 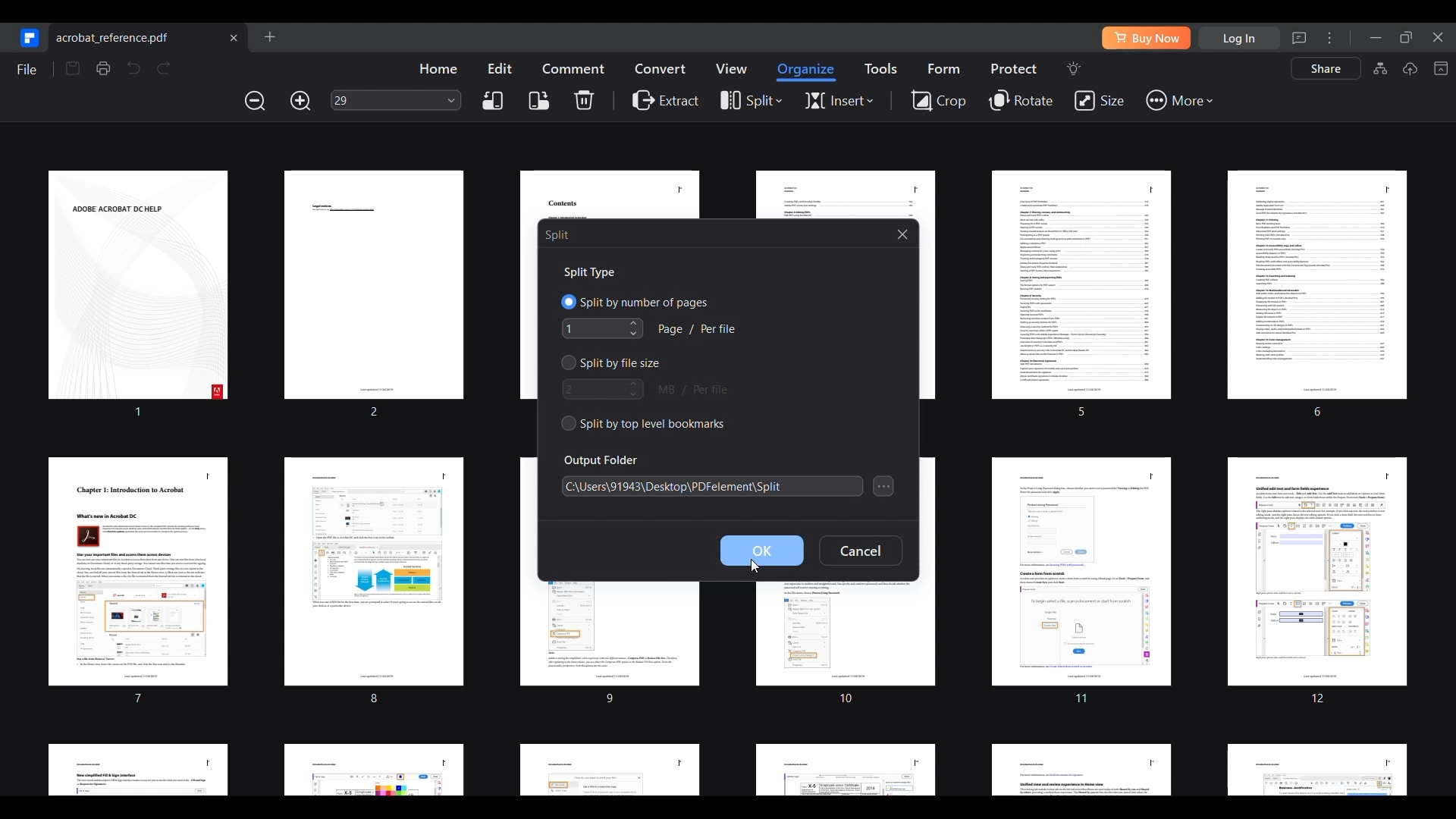 What do you see at coordinates (438, 68) in the screenshot?
I see `Home` at bounding box center [438, 68].